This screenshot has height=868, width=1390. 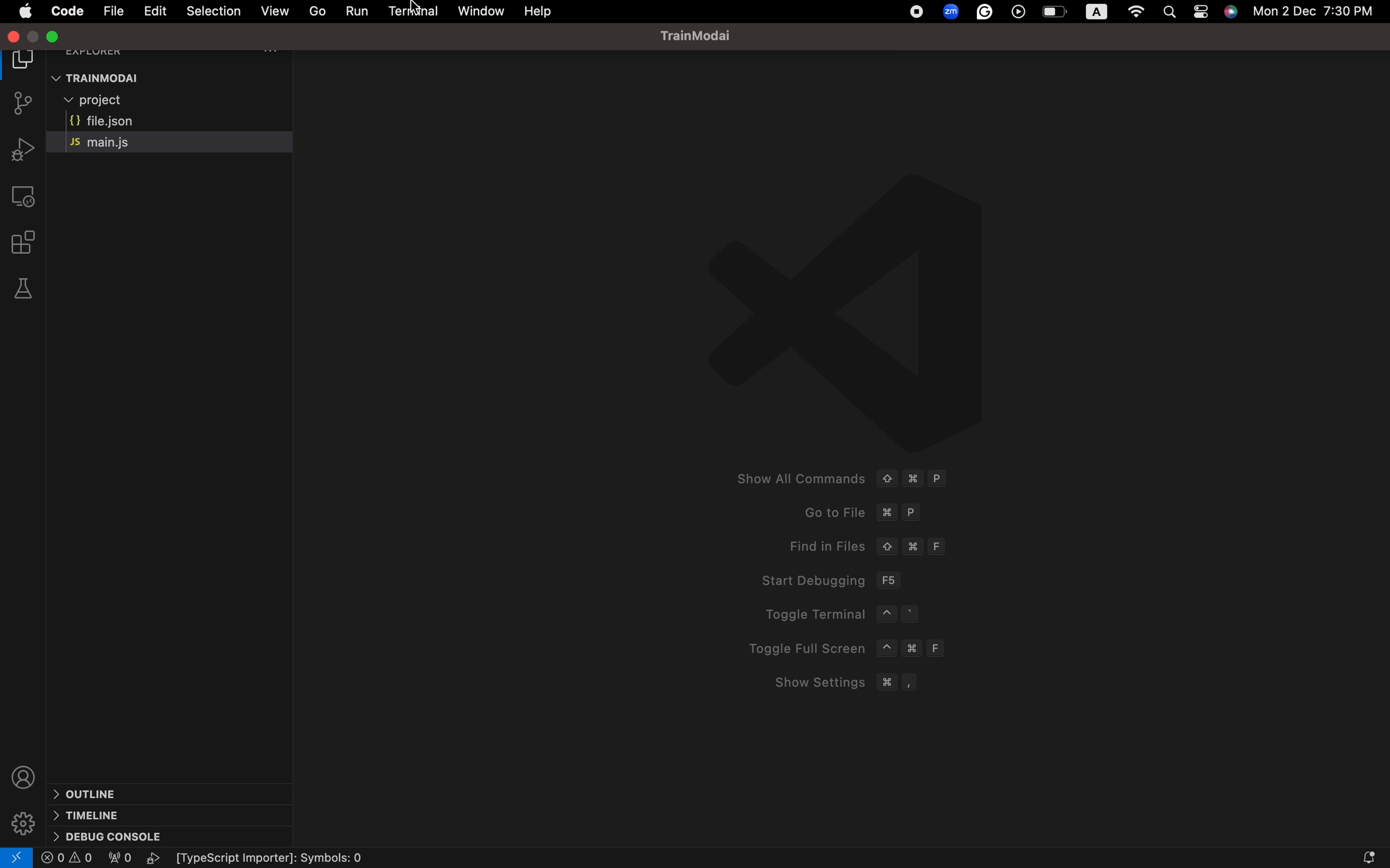 I want to click on Logo, so click(x=886, y=308).